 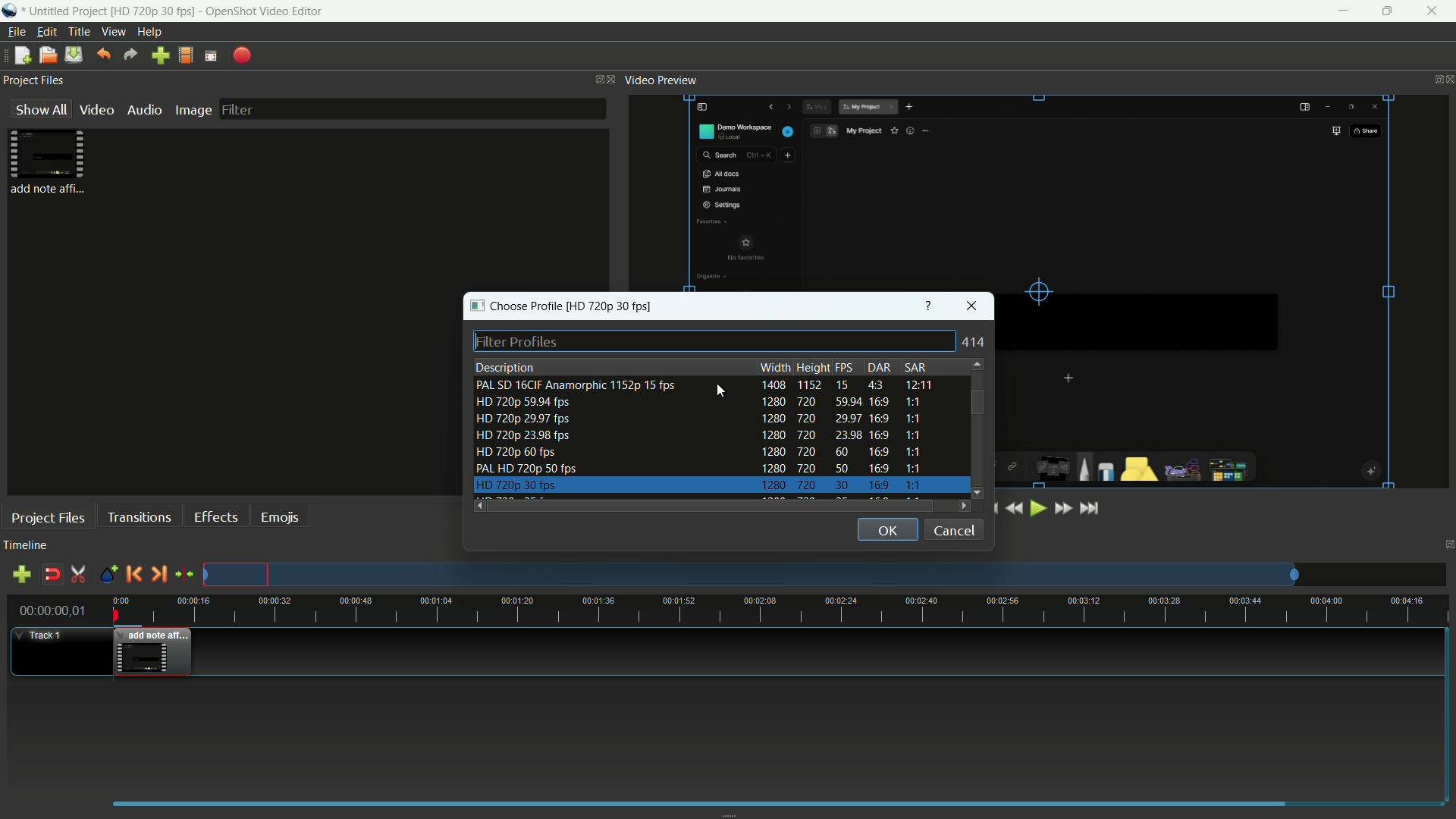 I want to click on profile-2, so click(x=704, y=403).